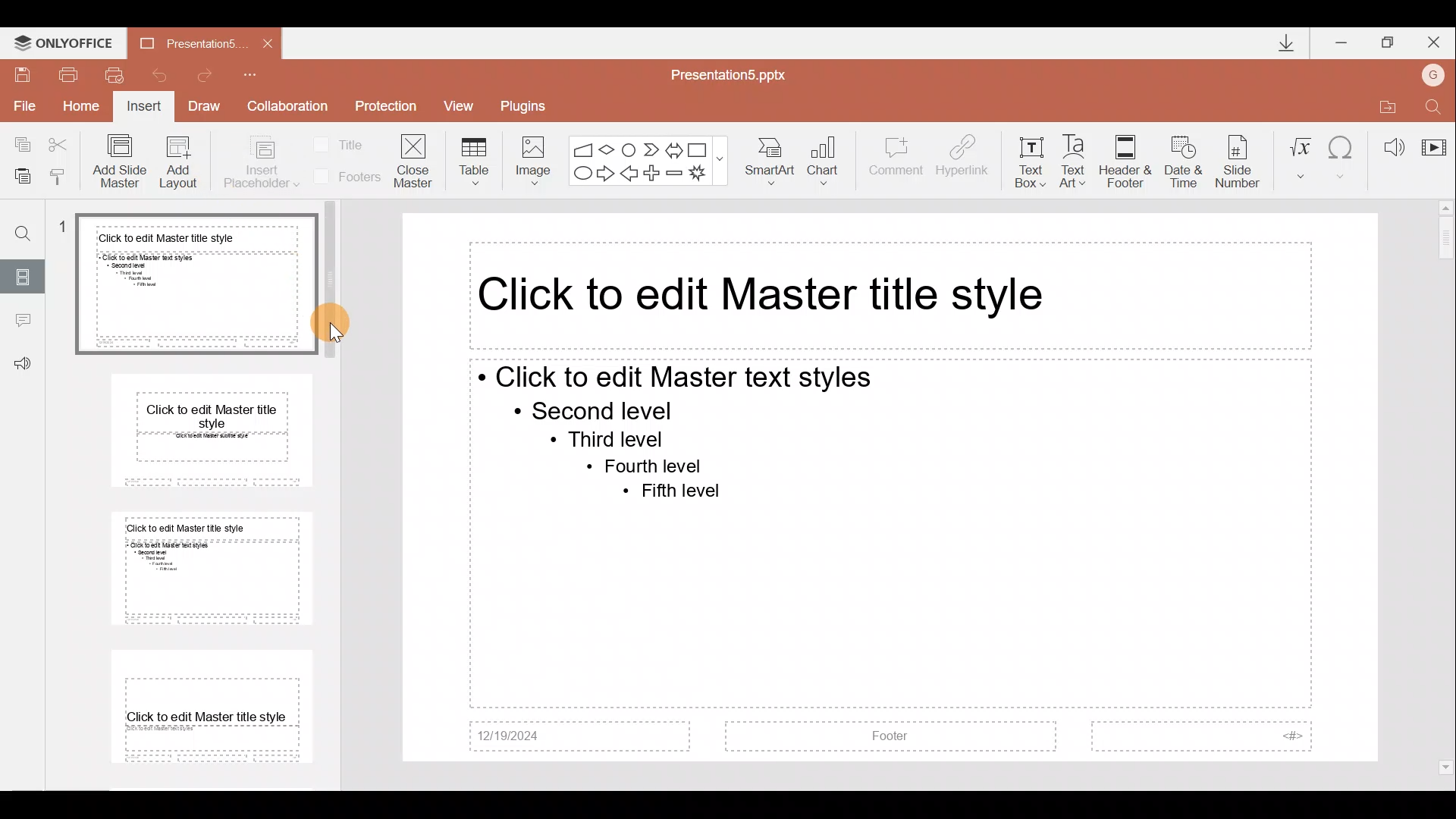  What do you see at coordinates (654, 171) in the screenshot?
I see `Plus` at bounding box center [654, 171].